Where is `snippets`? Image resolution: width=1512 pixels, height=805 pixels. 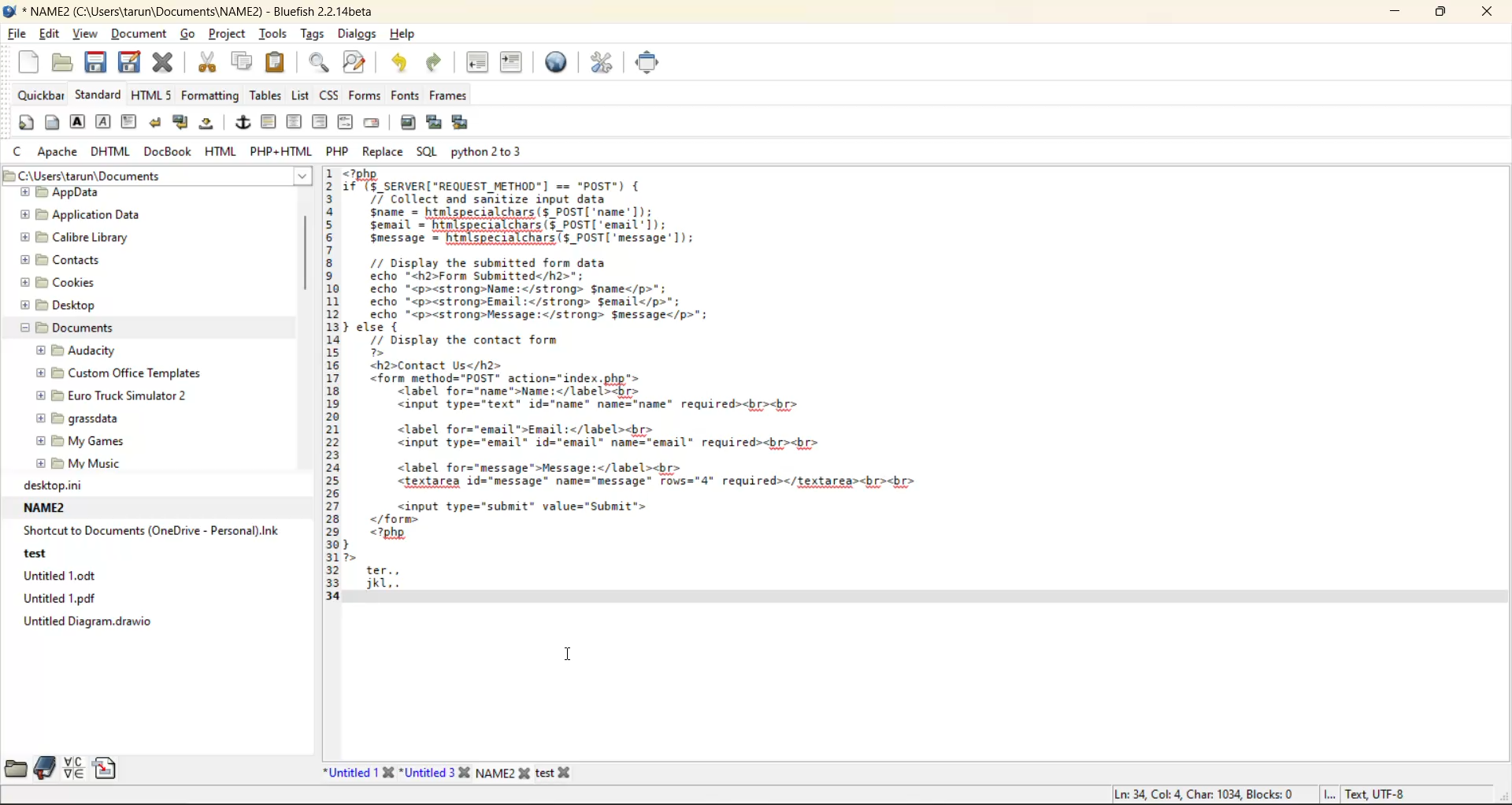
snippets is located at coordinates (105, 766).